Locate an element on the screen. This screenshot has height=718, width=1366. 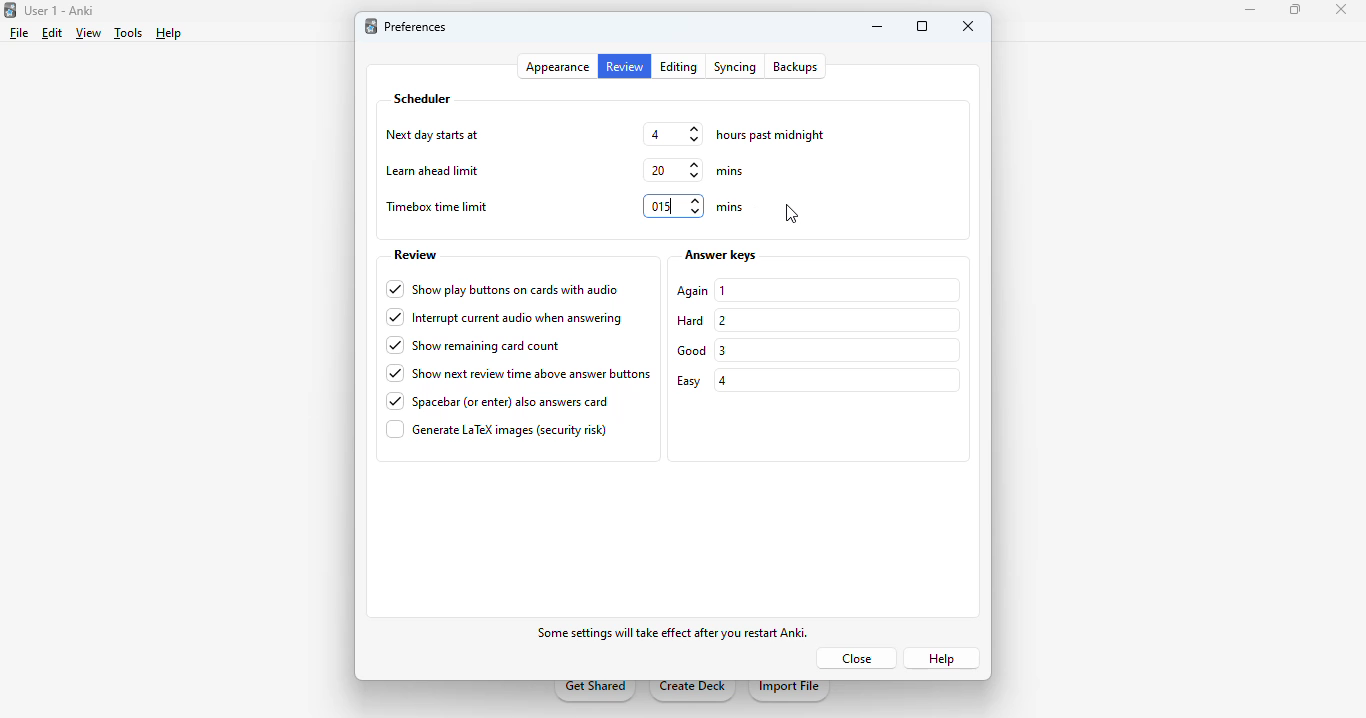
1 is located at coordinates (722, 291).